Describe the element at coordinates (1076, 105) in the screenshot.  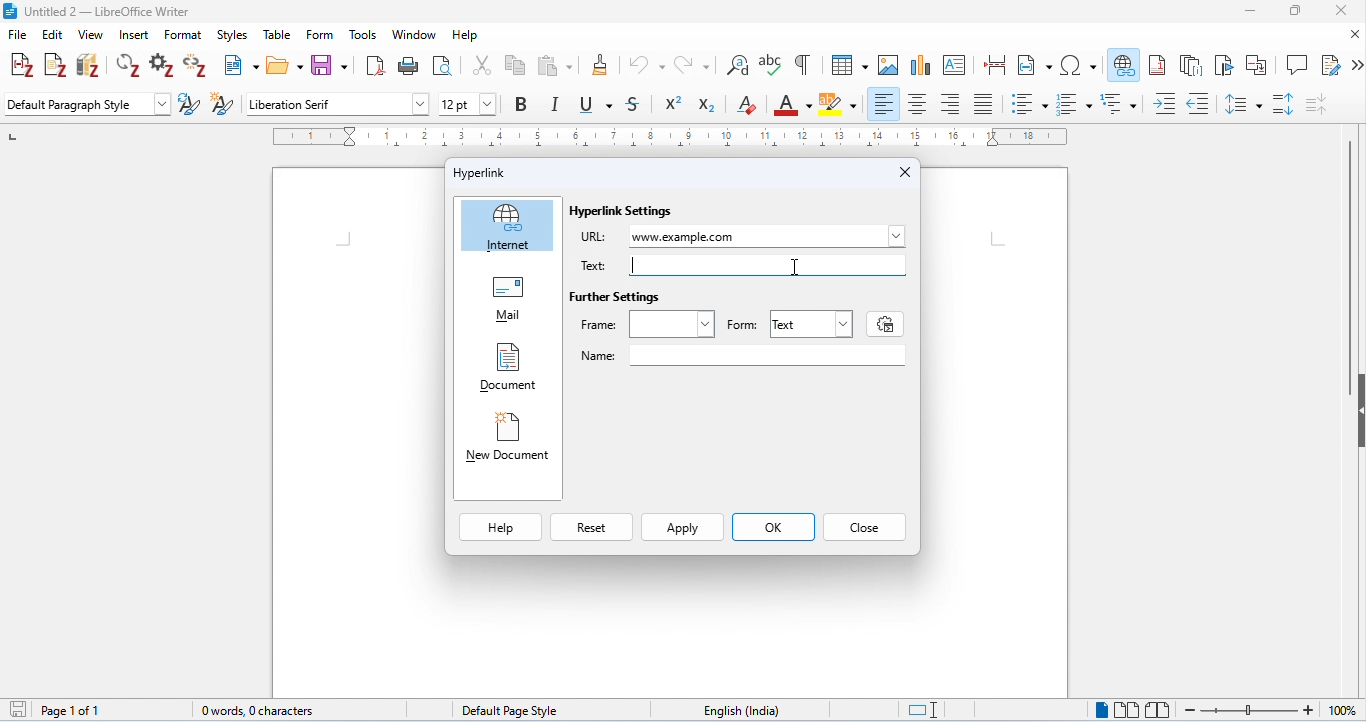
I see `numbered style` at that location.